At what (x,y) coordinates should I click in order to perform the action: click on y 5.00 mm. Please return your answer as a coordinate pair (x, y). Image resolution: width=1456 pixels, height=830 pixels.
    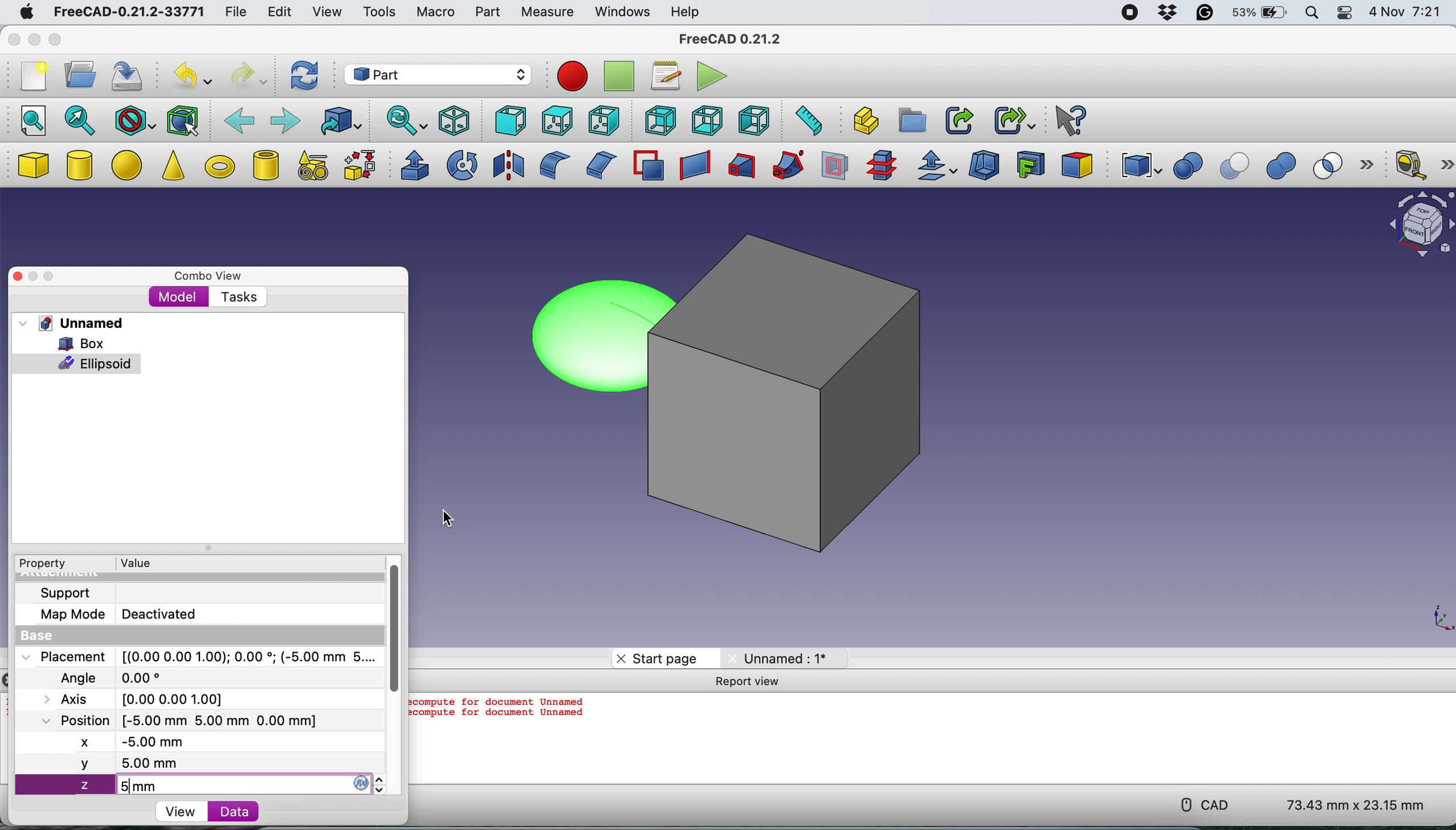
    Looking at the image, I should click on (199, 765).